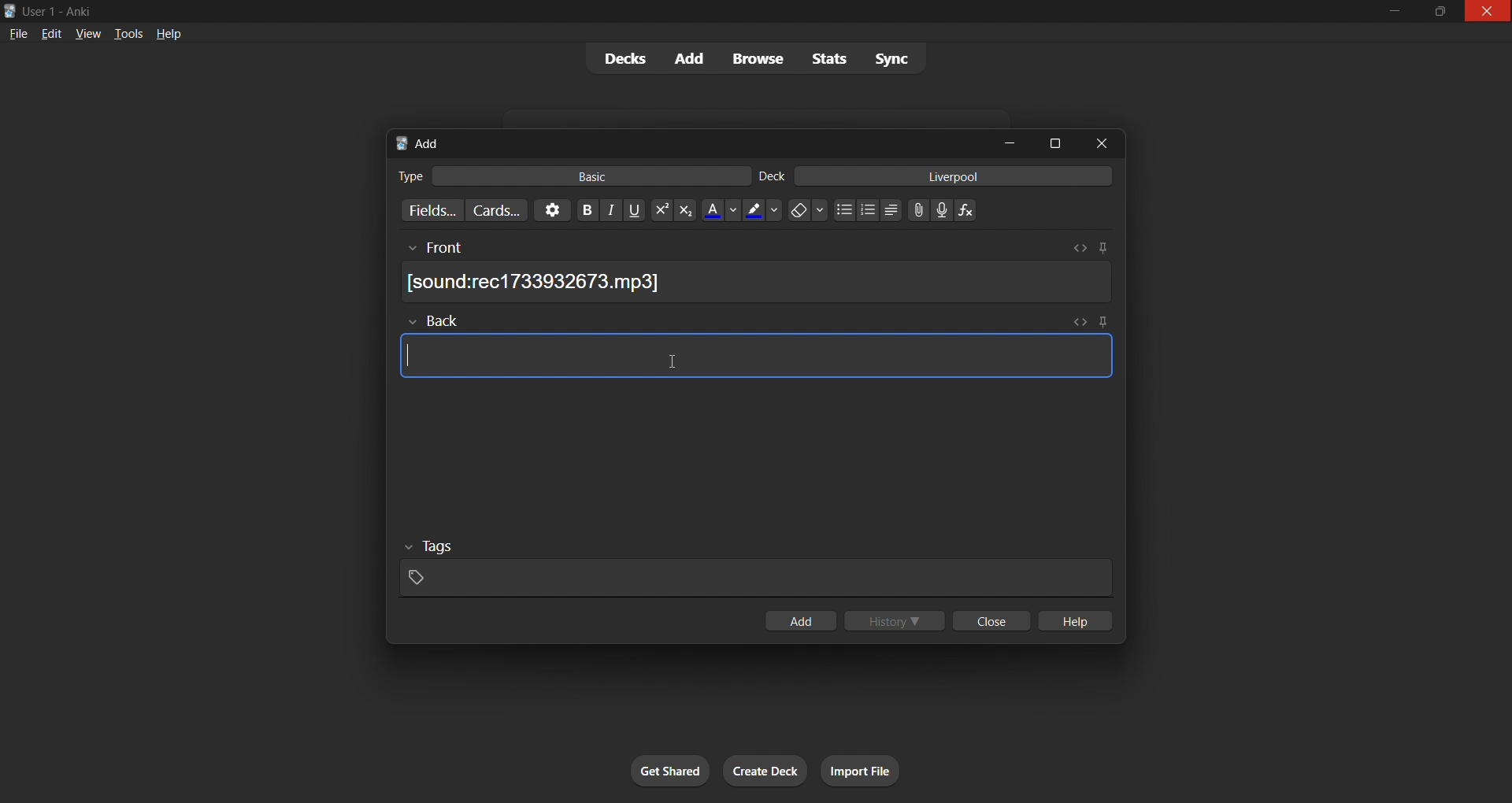 The height and width of the screenshot is (803, 1512). What do you see at coordinates (89, 35) in the screenshot?
I see `view` at bounding box center [89, 35].